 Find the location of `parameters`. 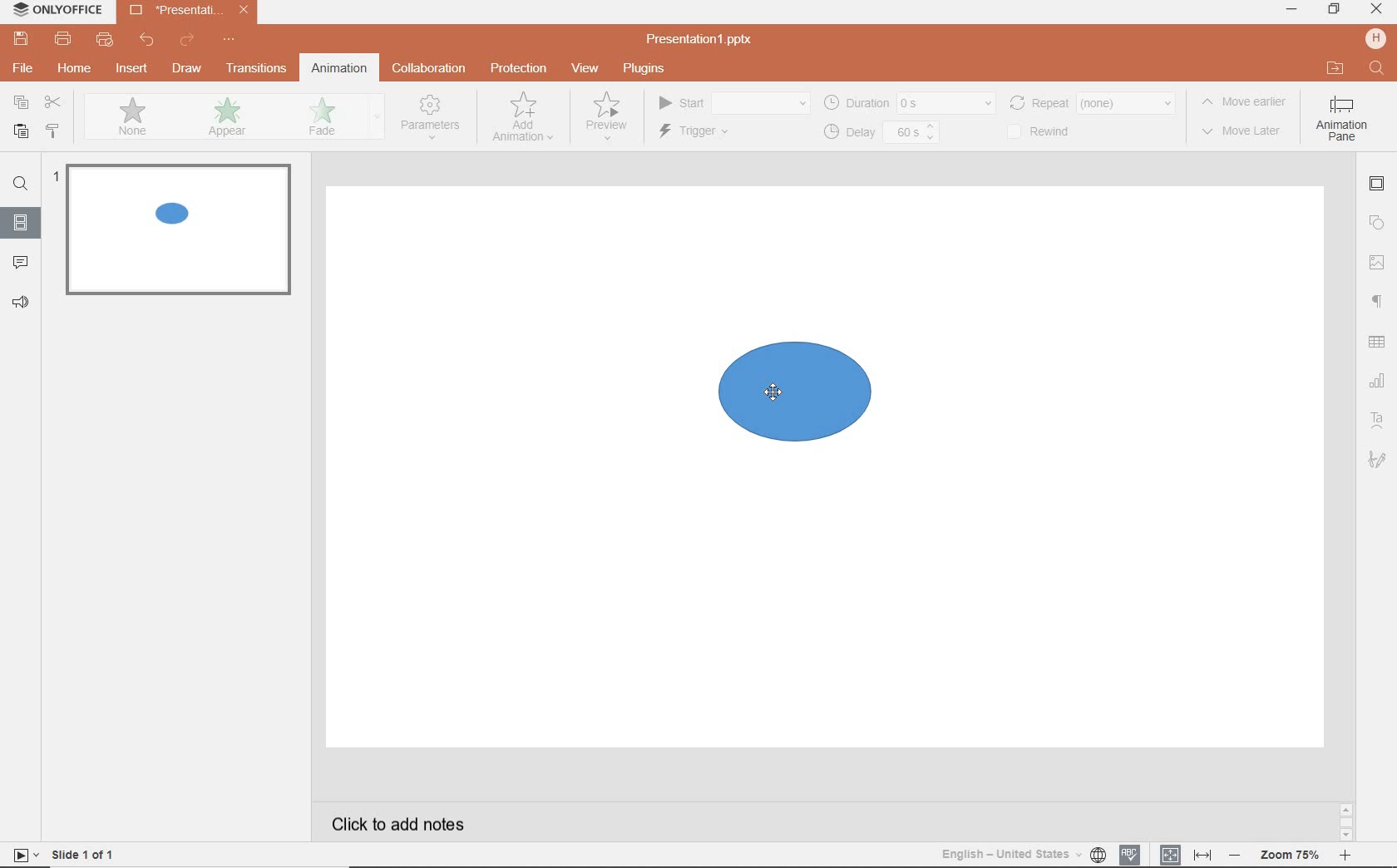

parameters is located at coordinates (434, 118).